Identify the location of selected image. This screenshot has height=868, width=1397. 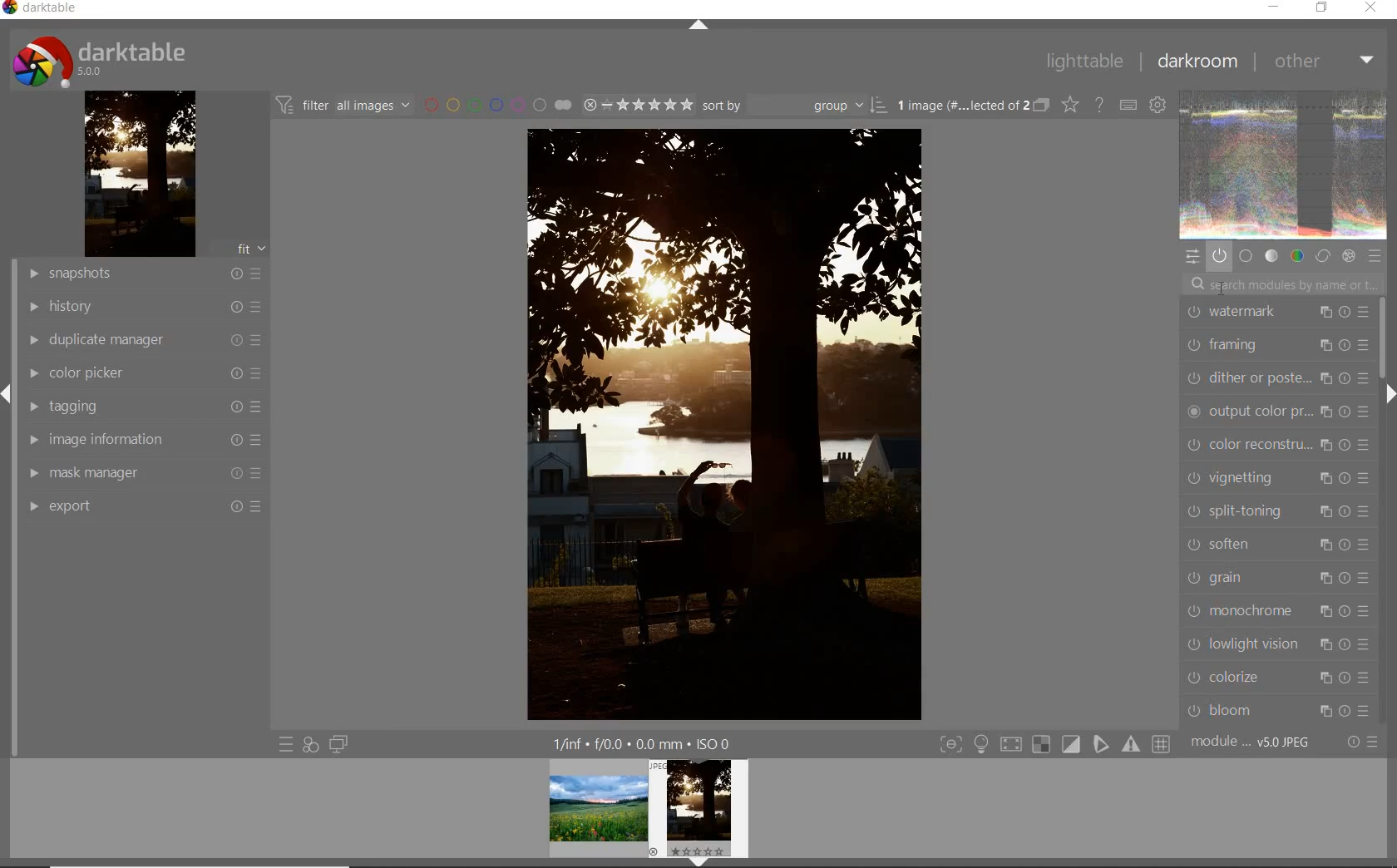
(706, 426).